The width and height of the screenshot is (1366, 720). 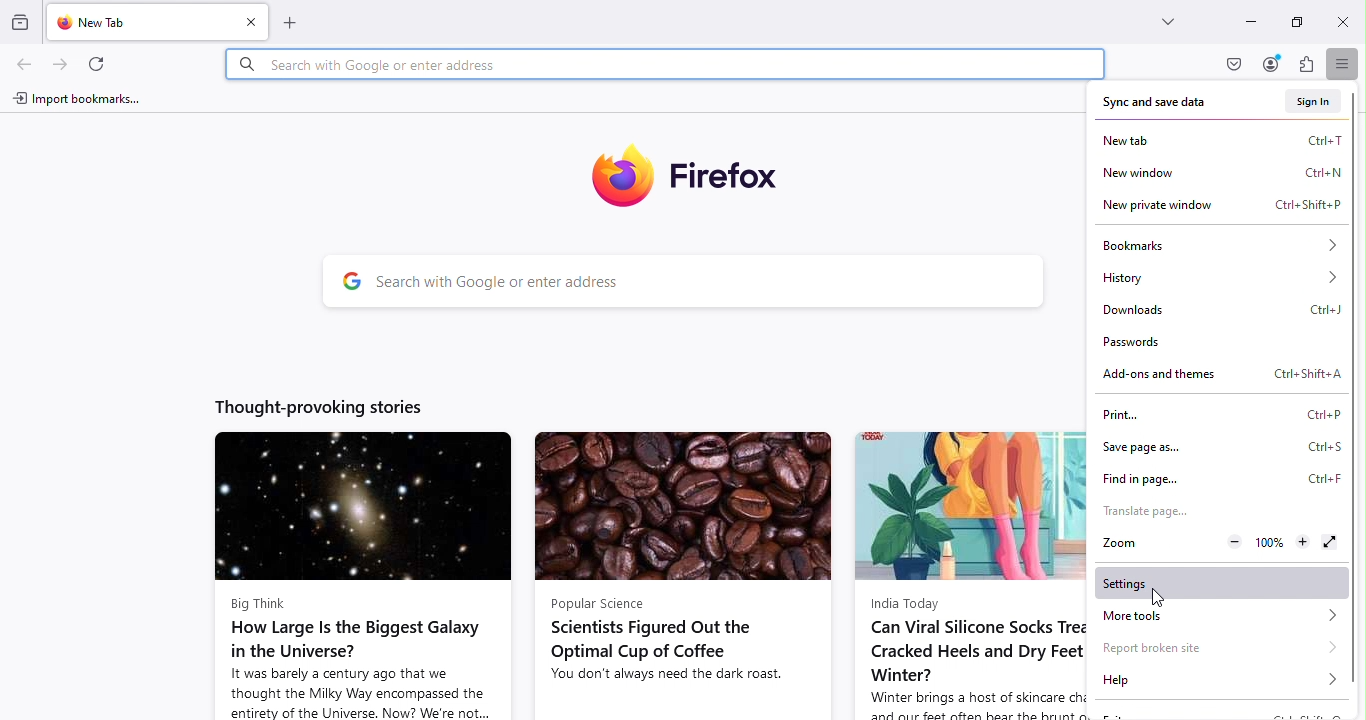 I want to click on close, so click(x=1339, y=20).